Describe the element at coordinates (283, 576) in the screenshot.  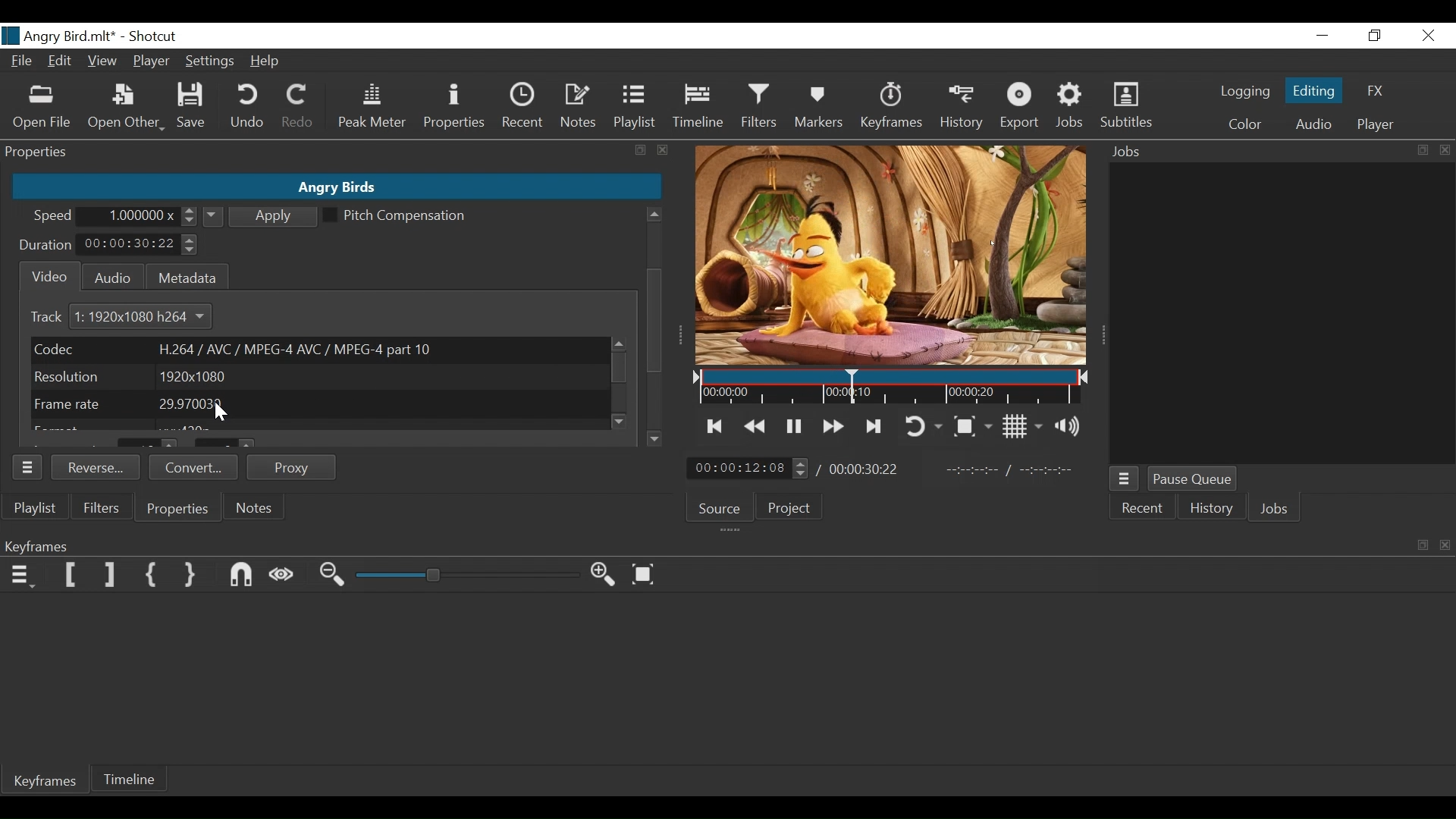
I see `Scrub while dragging` at that location.